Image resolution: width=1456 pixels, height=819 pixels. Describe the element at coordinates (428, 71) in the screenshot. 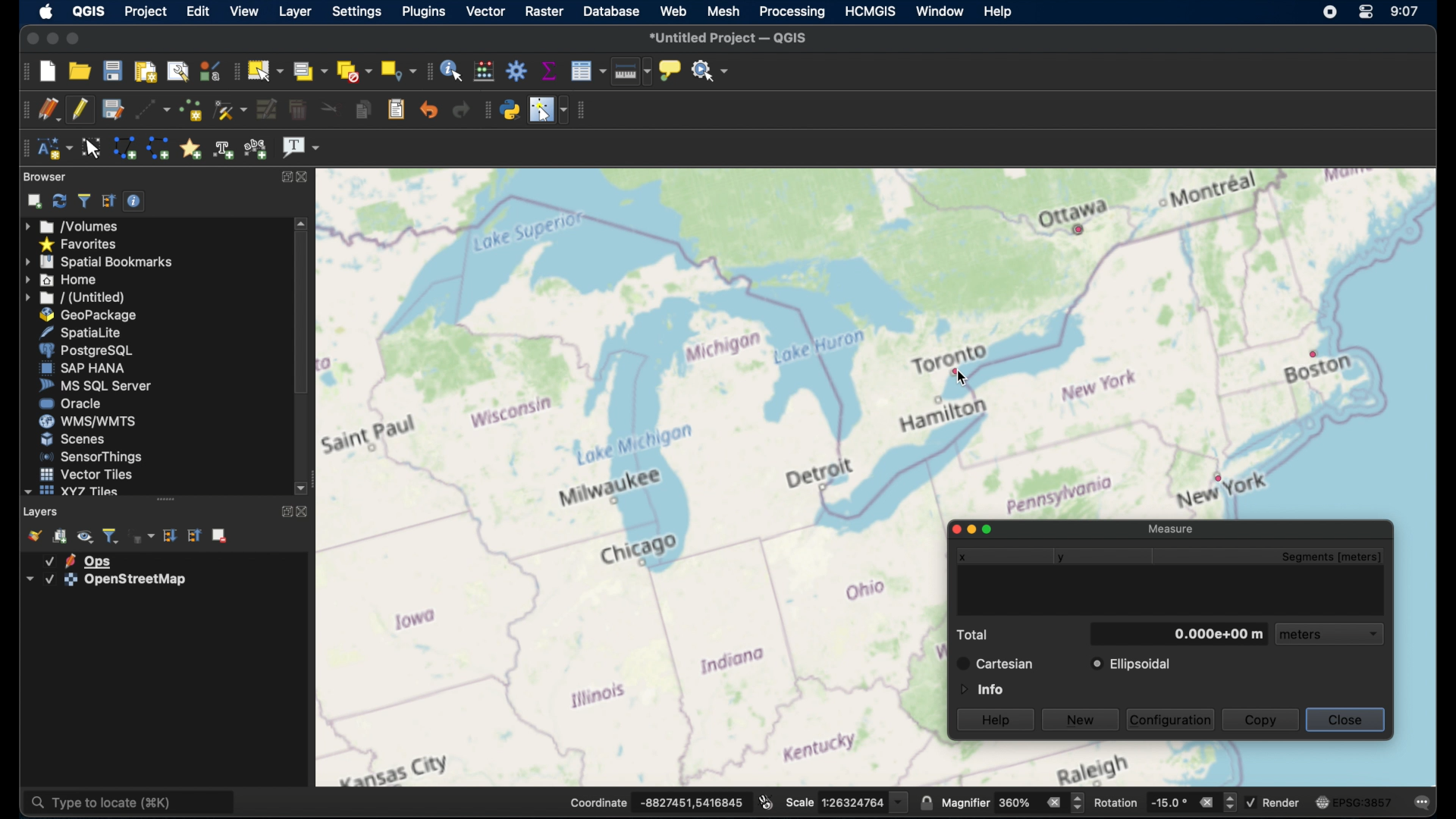

I see `attributes toolbar` at that location.